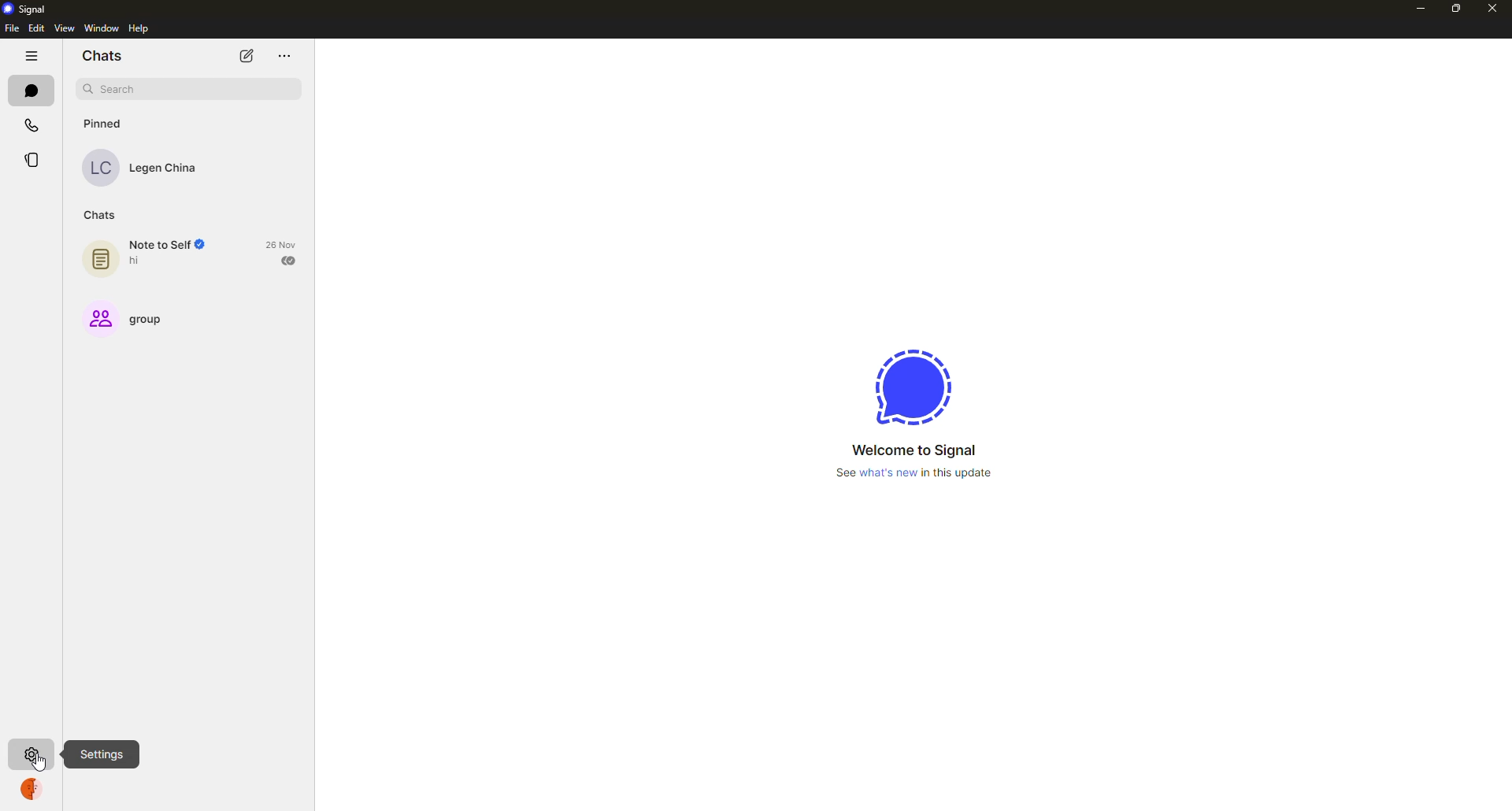 The height and width of the screenshot is (811, 1512). What do you see at coordinates (246, 55) in the screenshot?
I see `new chat` at bounding box center [246, 55].